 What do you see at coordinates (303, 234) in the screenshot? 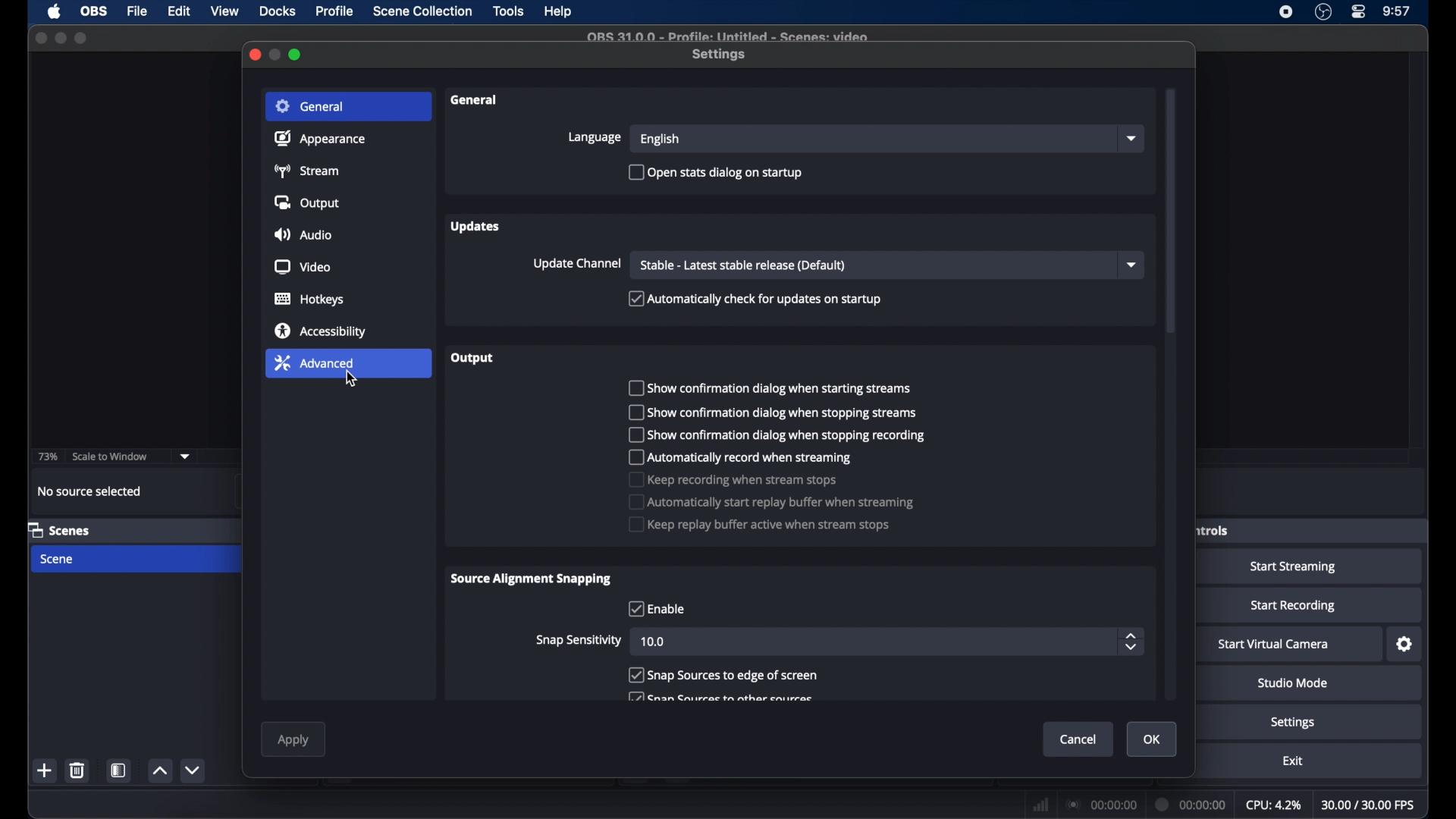
I see `audio` at bounding box center [303, 234].